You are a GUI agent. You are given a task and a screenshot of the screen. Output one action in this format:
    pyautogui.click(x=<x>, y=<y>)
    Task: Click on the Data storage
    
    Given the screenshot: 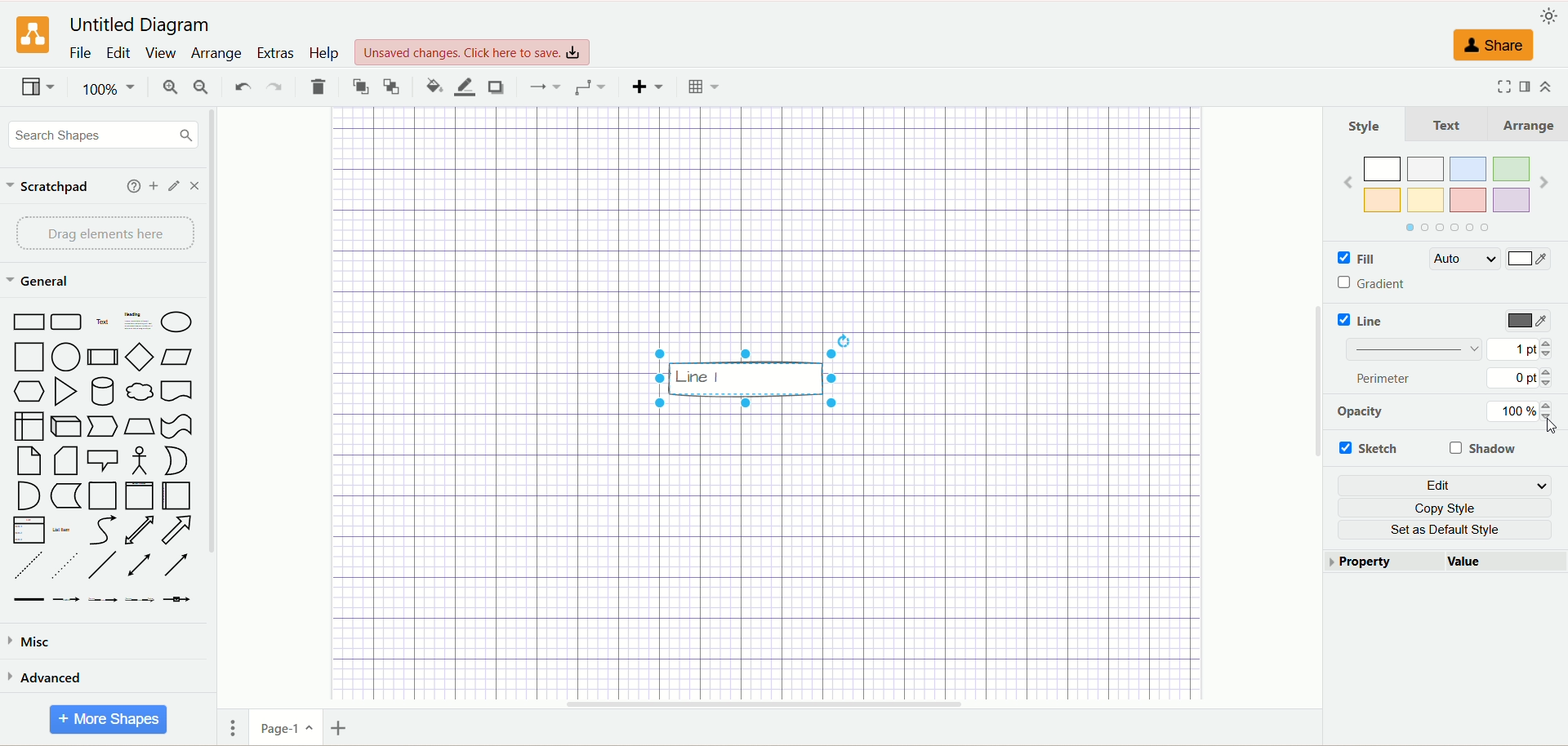 What is the action you would take?
    pyautogui.click(x=65, y=496)
    